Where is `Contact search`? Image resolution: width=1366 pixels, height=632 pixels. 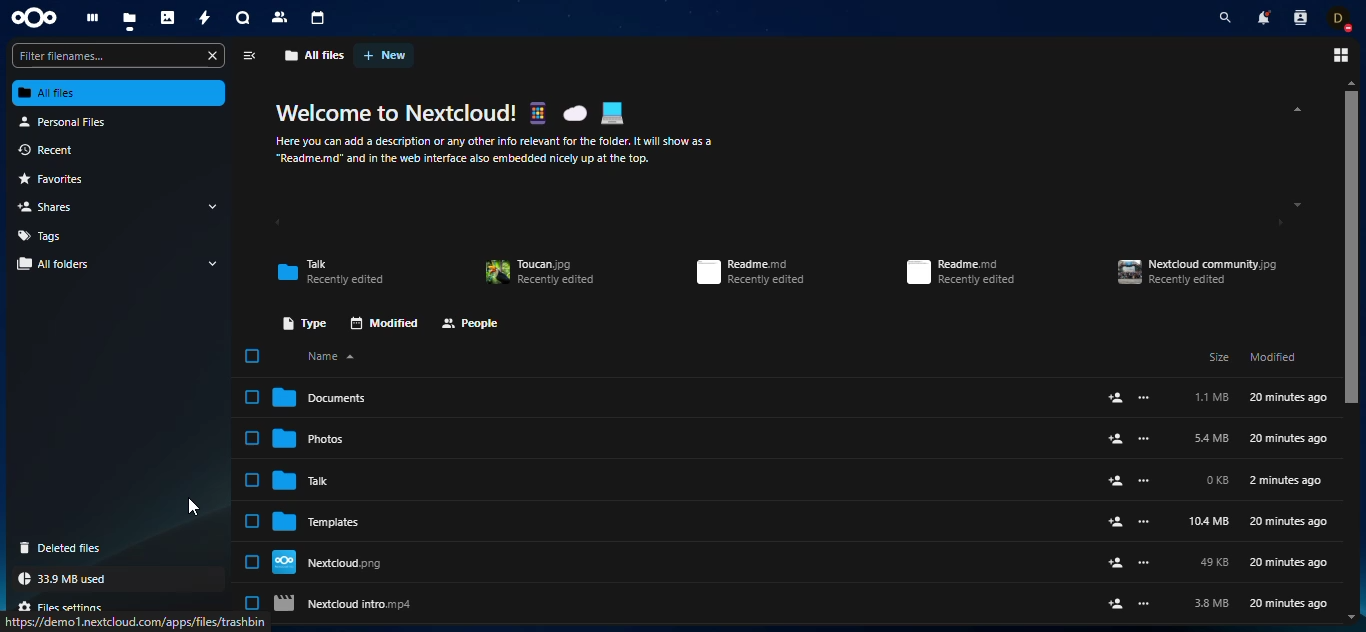 Contact search is located at coordinates (1303, 18).